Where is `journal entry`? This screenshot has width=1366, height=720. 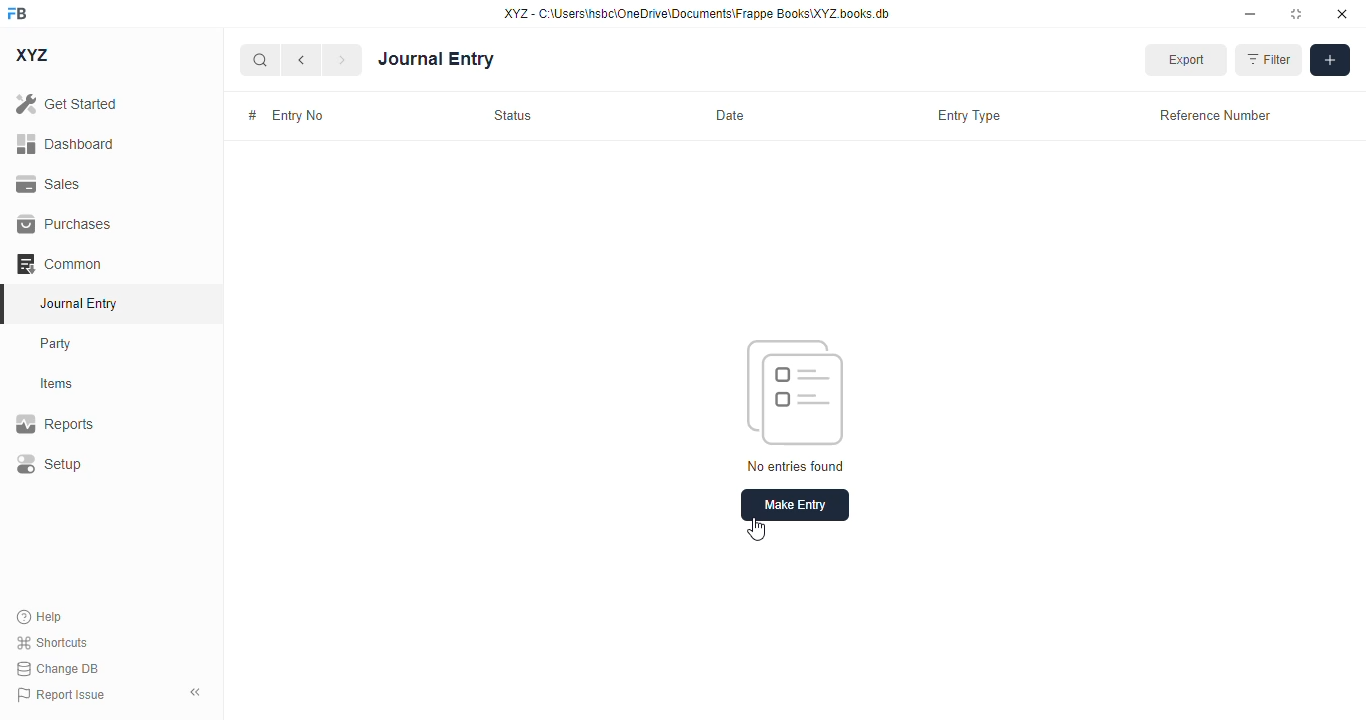
journal entry is located at coordinates (77, 303).